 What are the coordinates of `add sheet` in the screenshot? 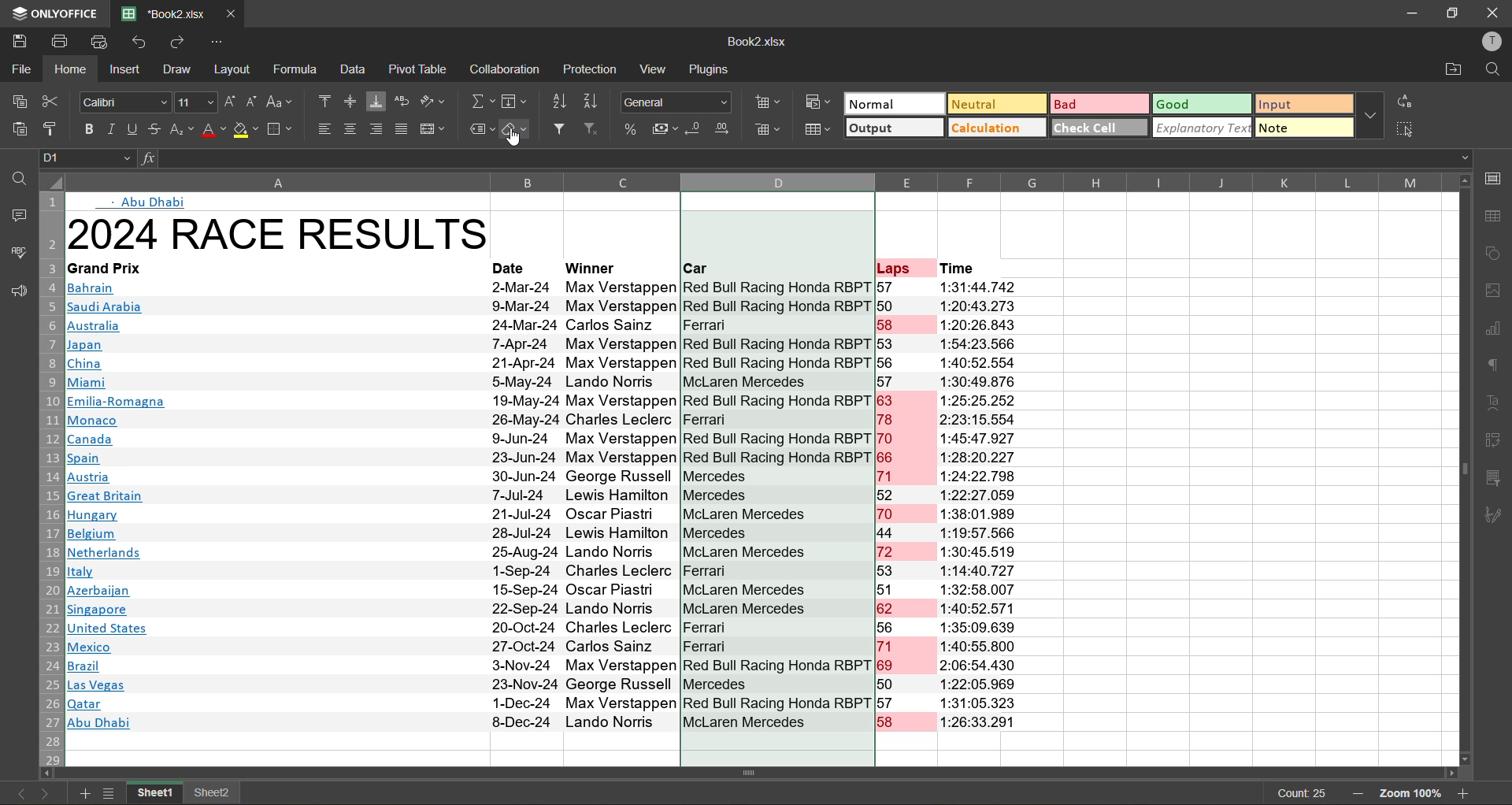 It's located at (85, 794).